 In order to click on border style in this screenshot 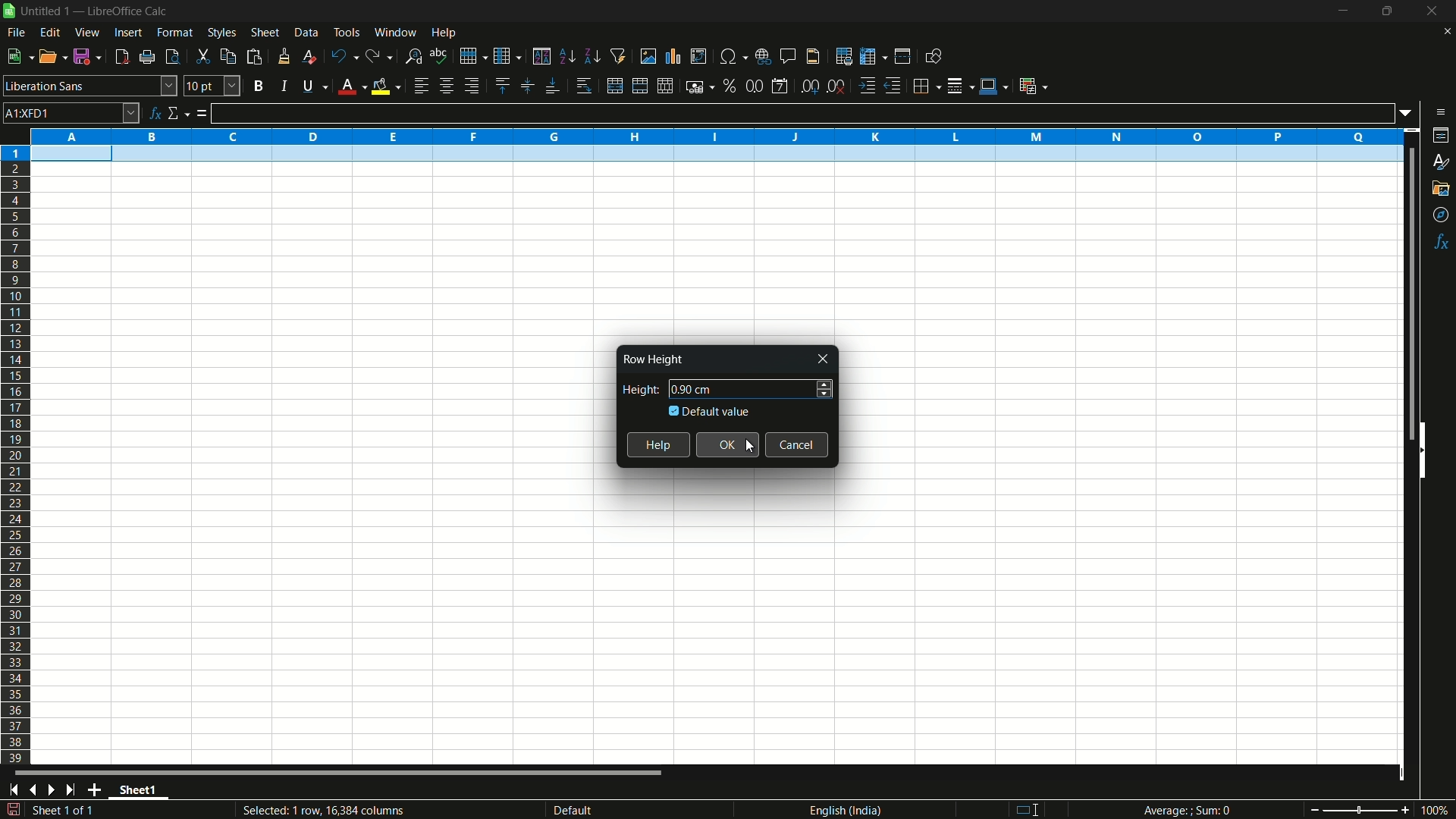, I will do `click(962, 84)`.